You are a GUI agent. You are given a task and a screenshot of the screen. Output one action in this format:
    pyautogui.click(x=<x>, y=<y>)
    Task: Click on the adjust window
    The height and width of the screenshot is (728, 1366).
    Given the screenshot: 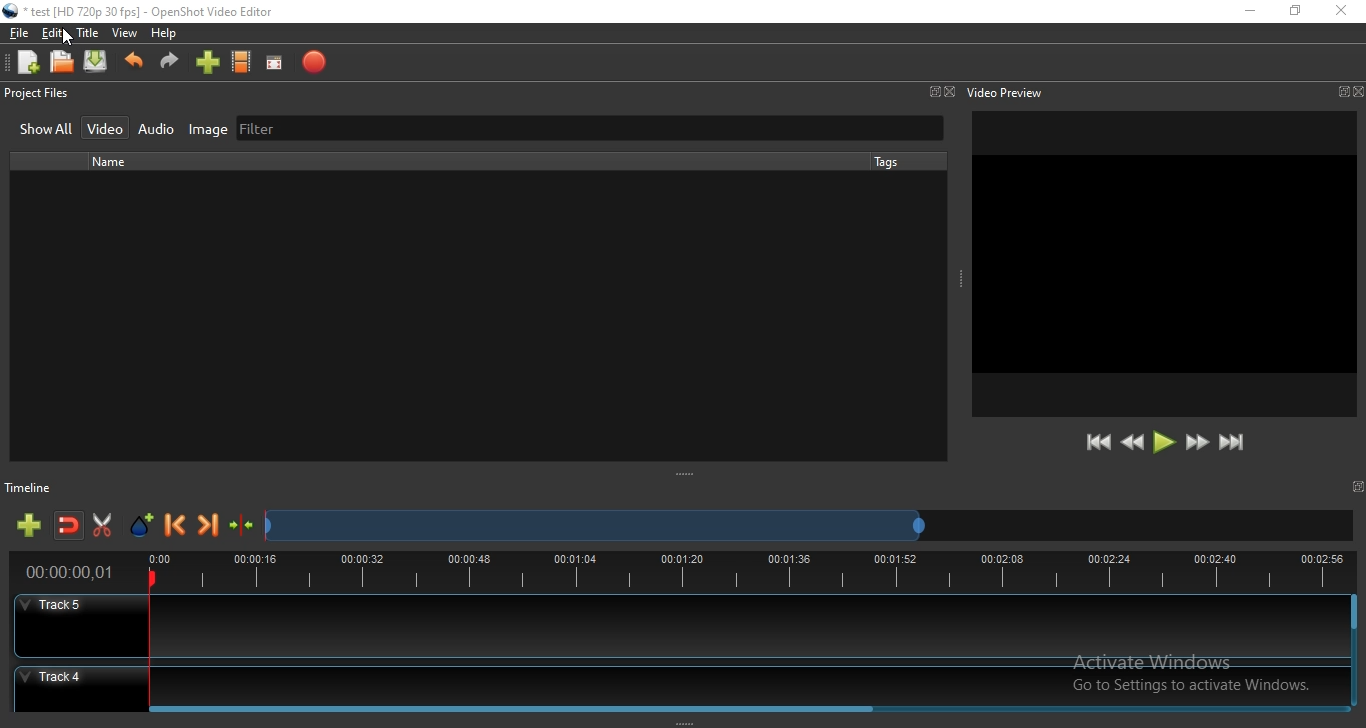 What is the action you would take?
    pyautogui.click(x=957, y=282)
    